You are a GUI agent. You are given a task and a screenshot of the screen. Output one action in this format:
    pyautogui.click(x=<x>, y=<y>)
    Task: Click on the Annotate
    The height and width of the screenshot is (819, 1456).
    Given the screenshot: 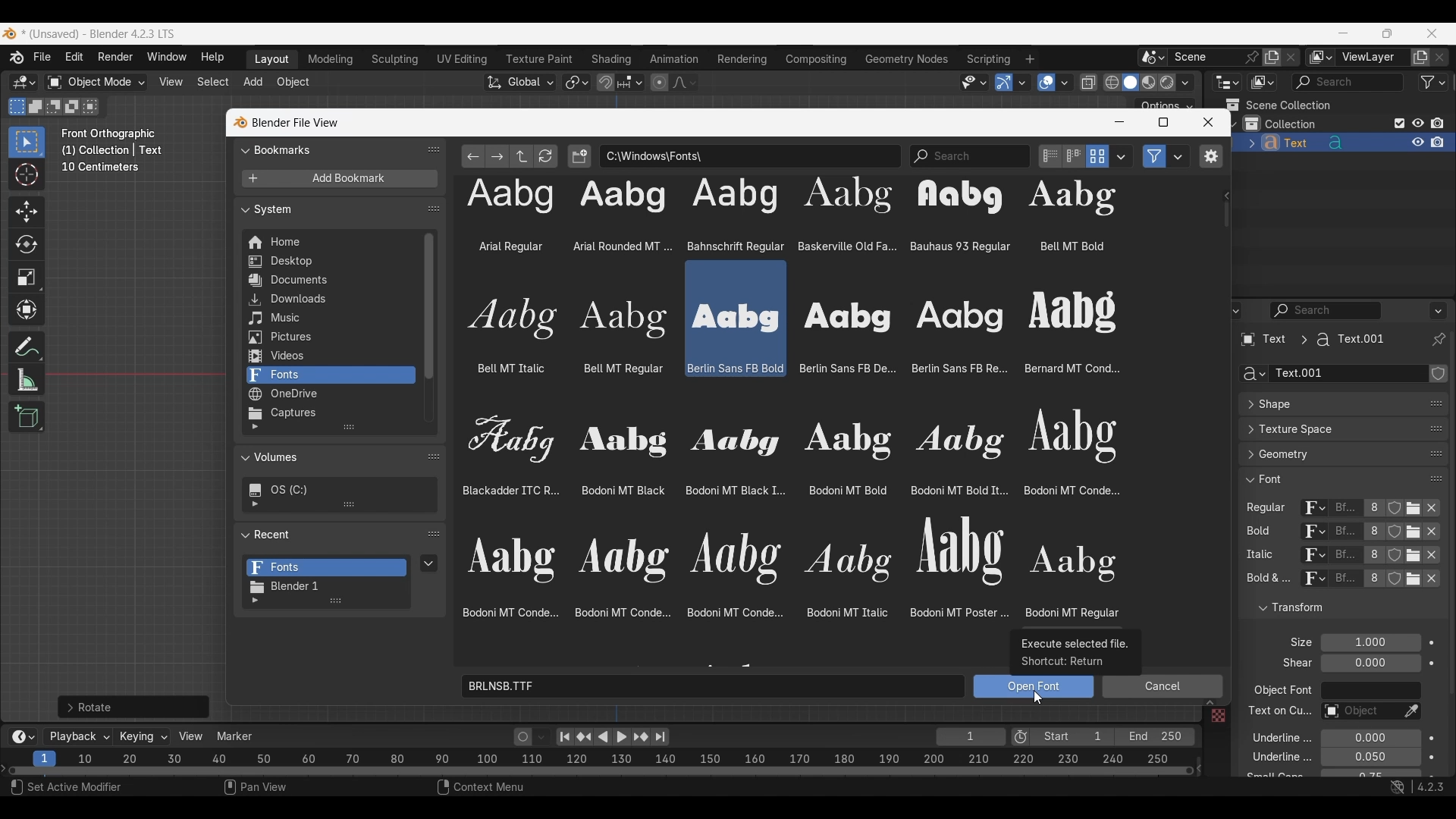 What is the action you would take?
    pyautogui.click(x=27, y=347)
    